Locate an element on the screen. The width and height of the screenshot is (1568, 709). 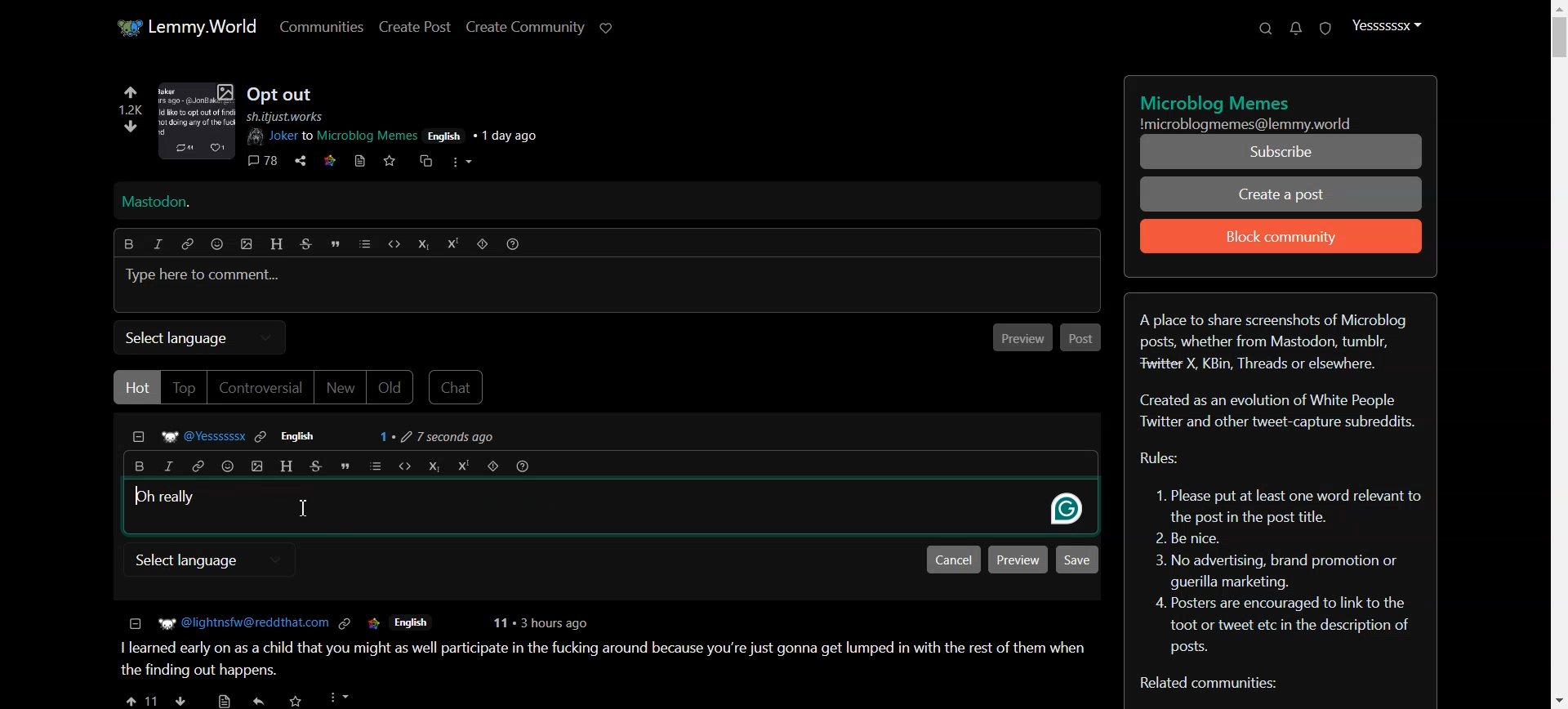
Vertical Scroll bar is located at coordinates (1557, 354).